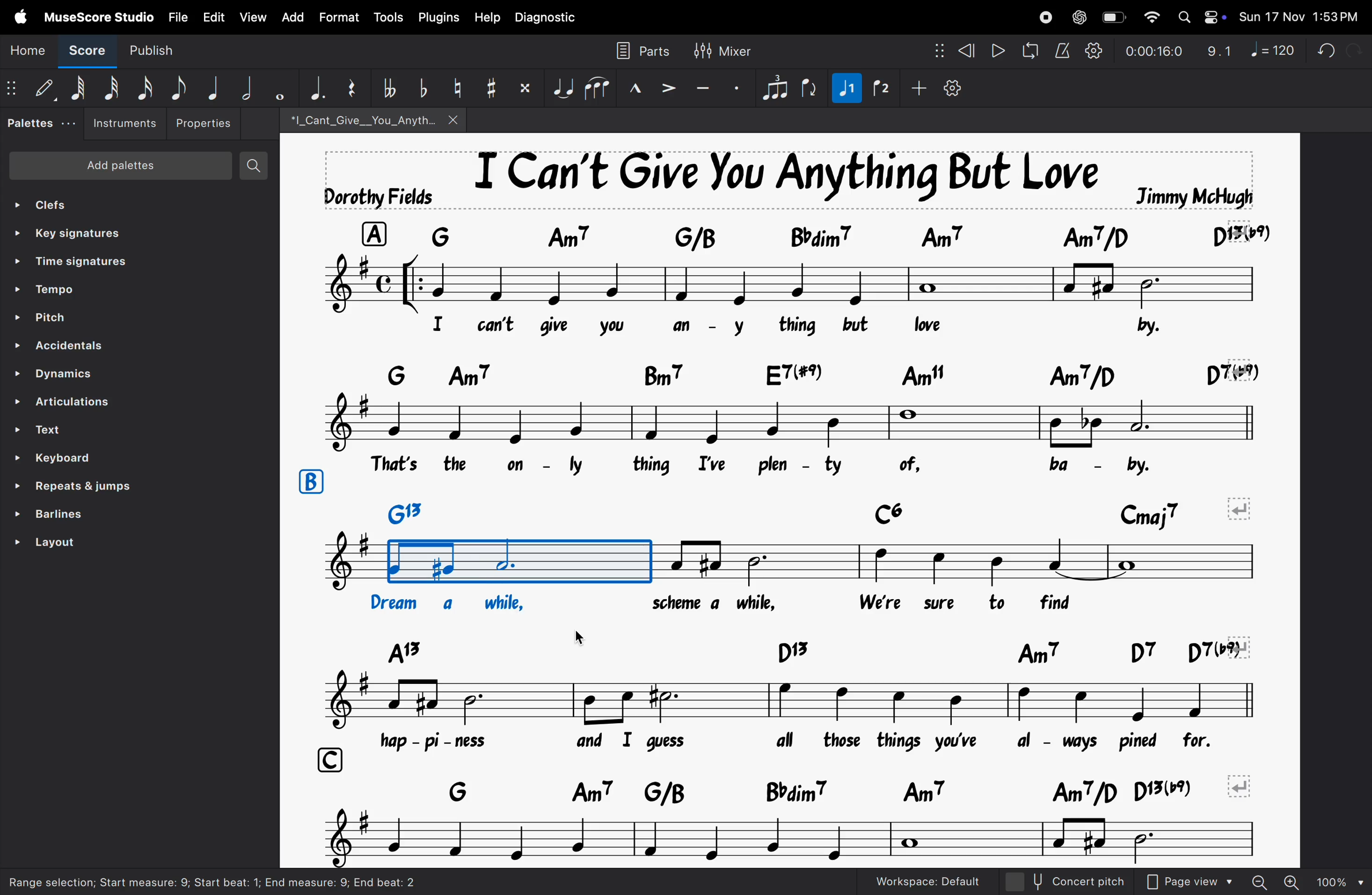  I want to click on file, so click(177, 17).